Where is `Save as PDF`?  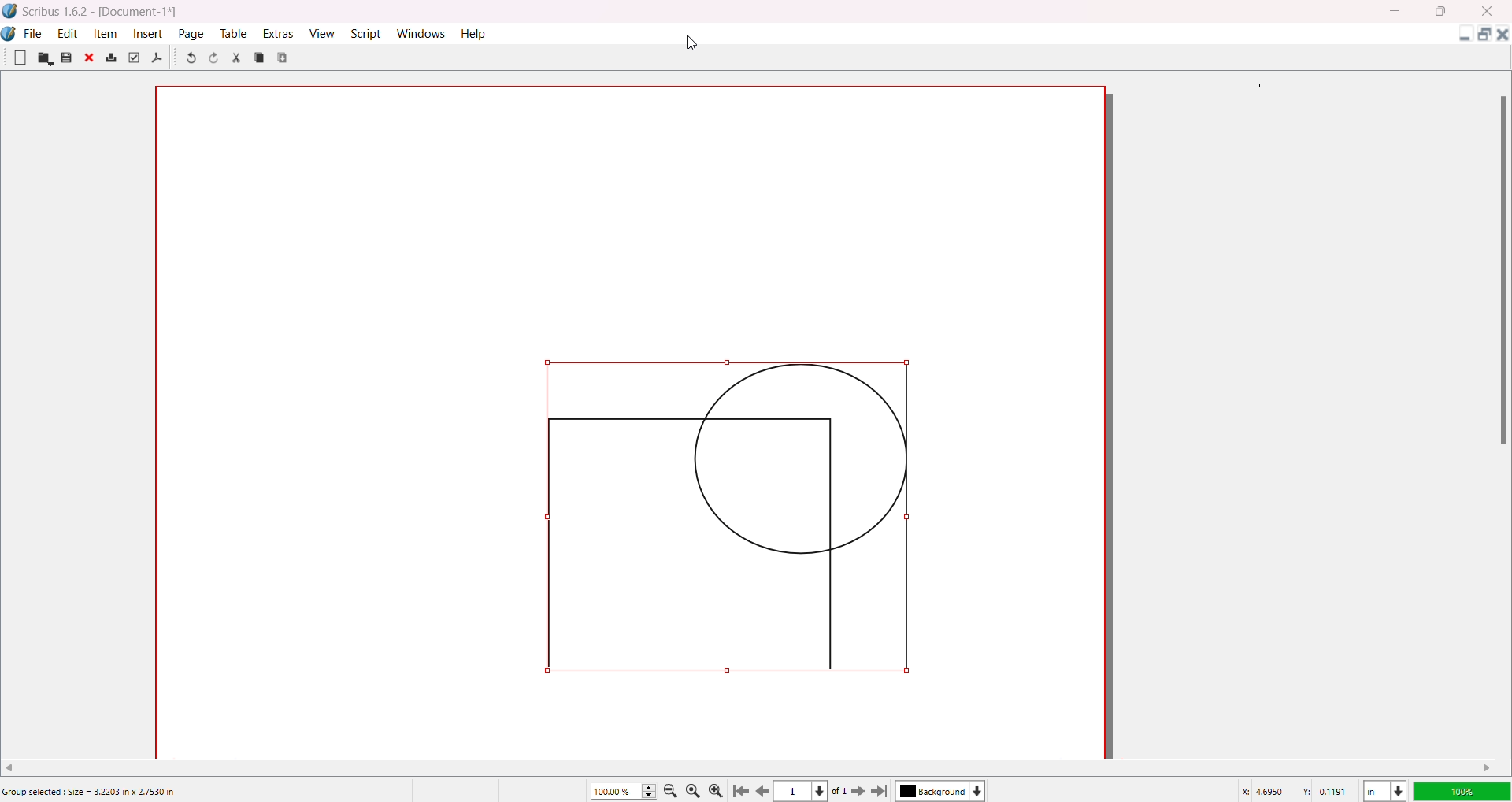 Save as PDF is located at coordinates (157, 58).